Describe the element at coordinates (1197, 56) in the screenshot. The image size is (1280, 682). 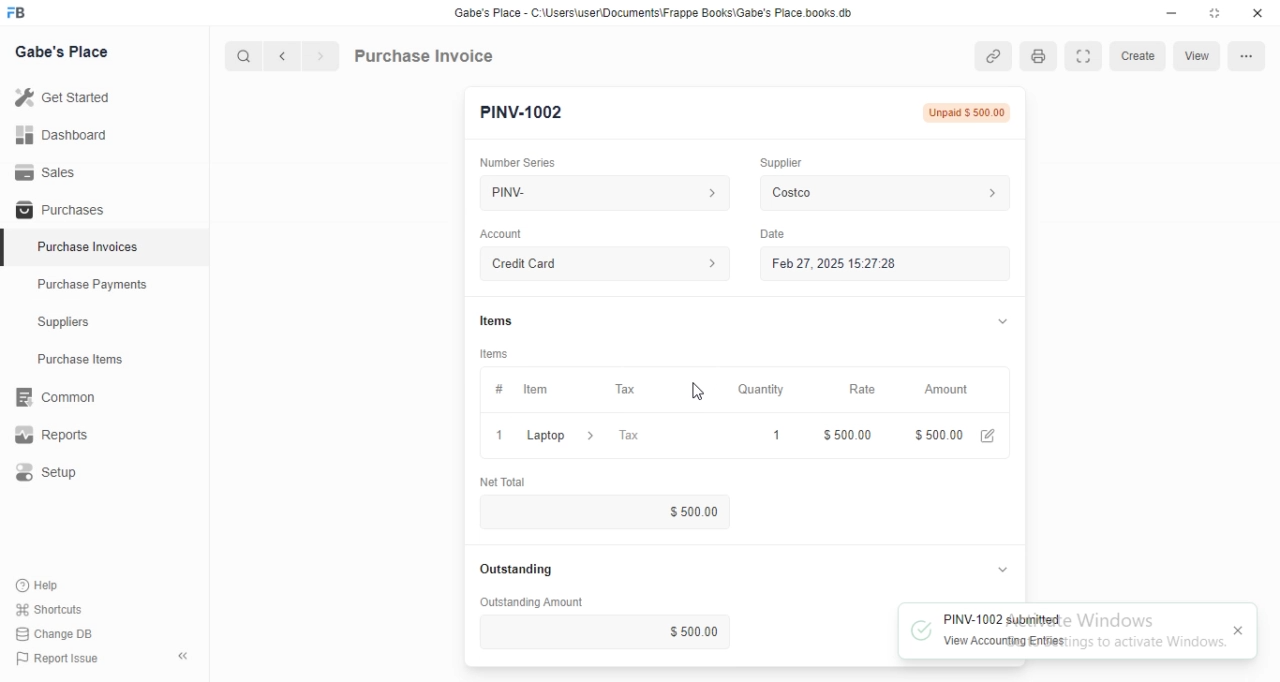
I see `View` at that location.